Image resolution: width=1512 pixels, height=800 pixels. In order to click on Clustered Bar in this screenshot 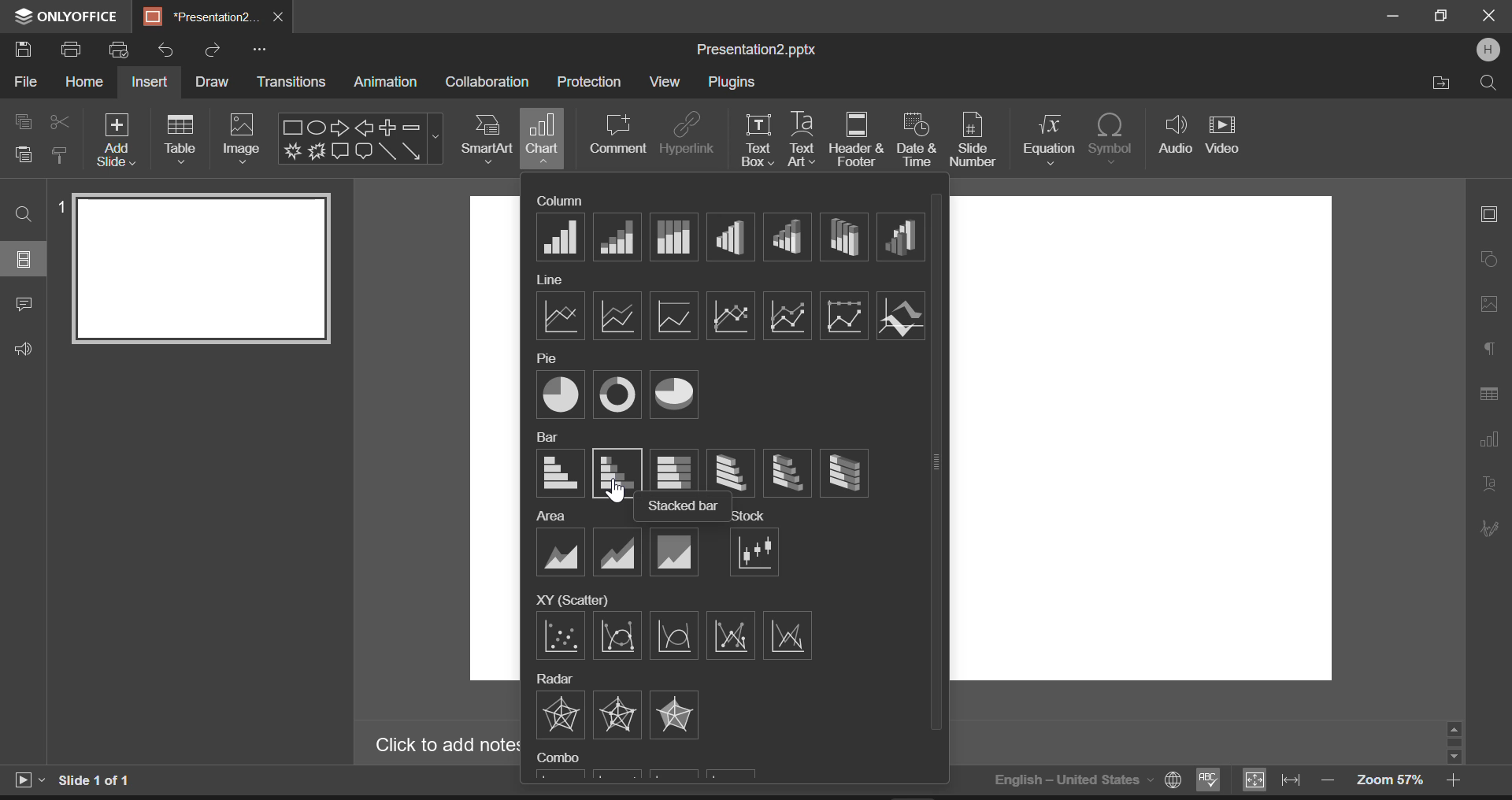, I will do `click(561, 473)`.